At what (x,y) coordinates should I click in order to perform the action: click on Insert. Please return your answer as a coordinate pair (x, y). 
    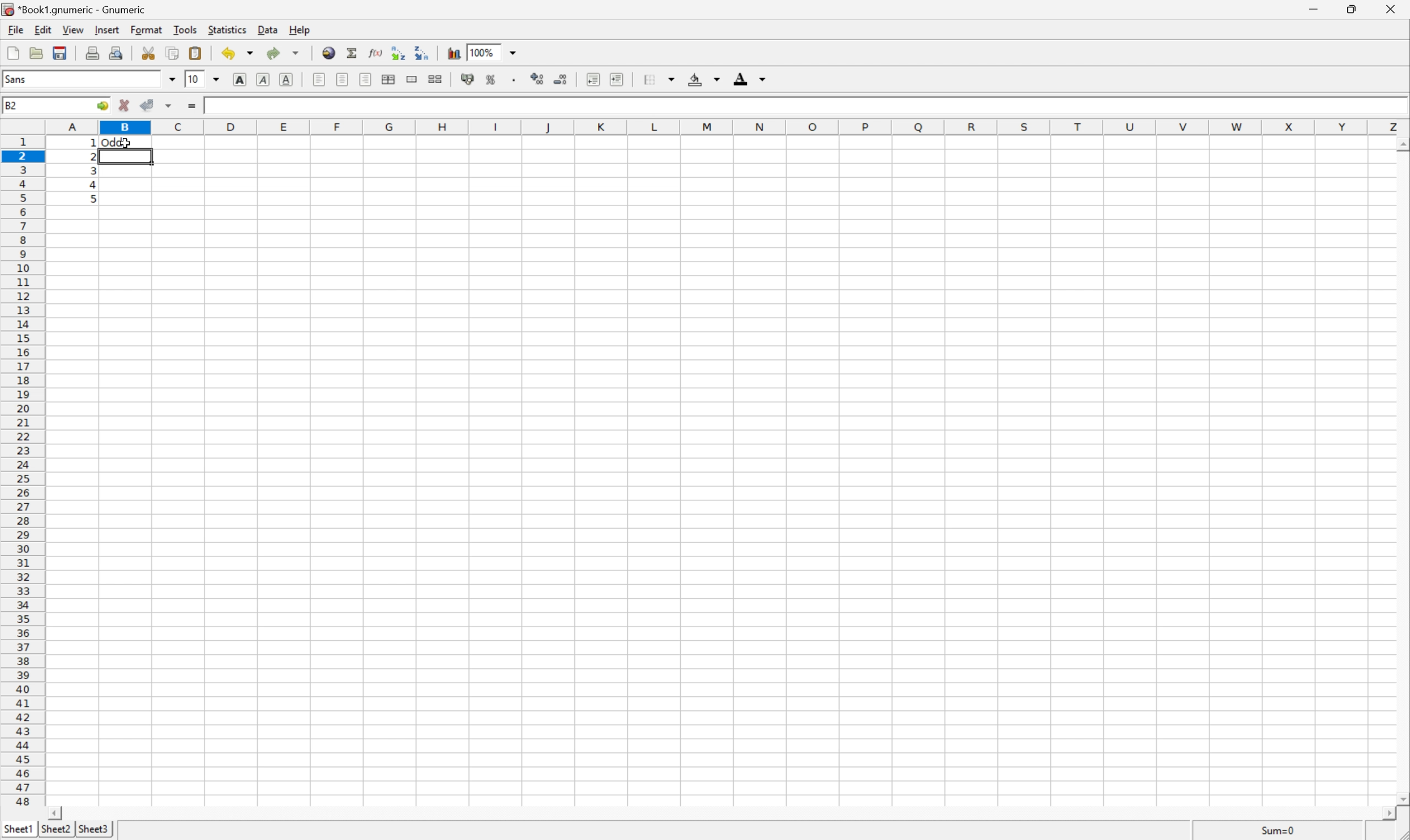
    Looking at the image, I should click on (109, 30).